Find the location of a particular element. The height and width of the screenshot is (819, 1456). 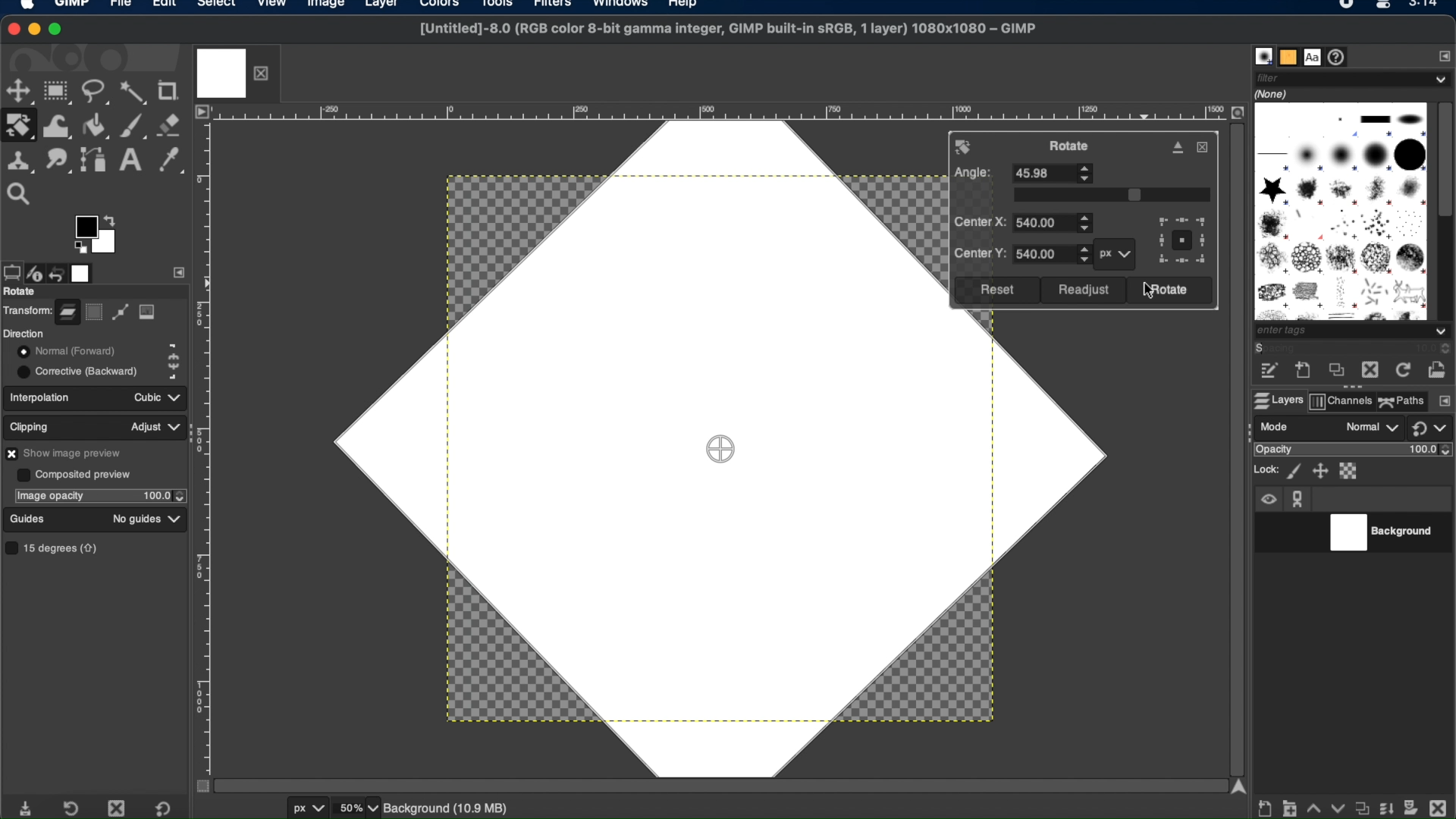

access image menu is located at coordinates (202, 112).